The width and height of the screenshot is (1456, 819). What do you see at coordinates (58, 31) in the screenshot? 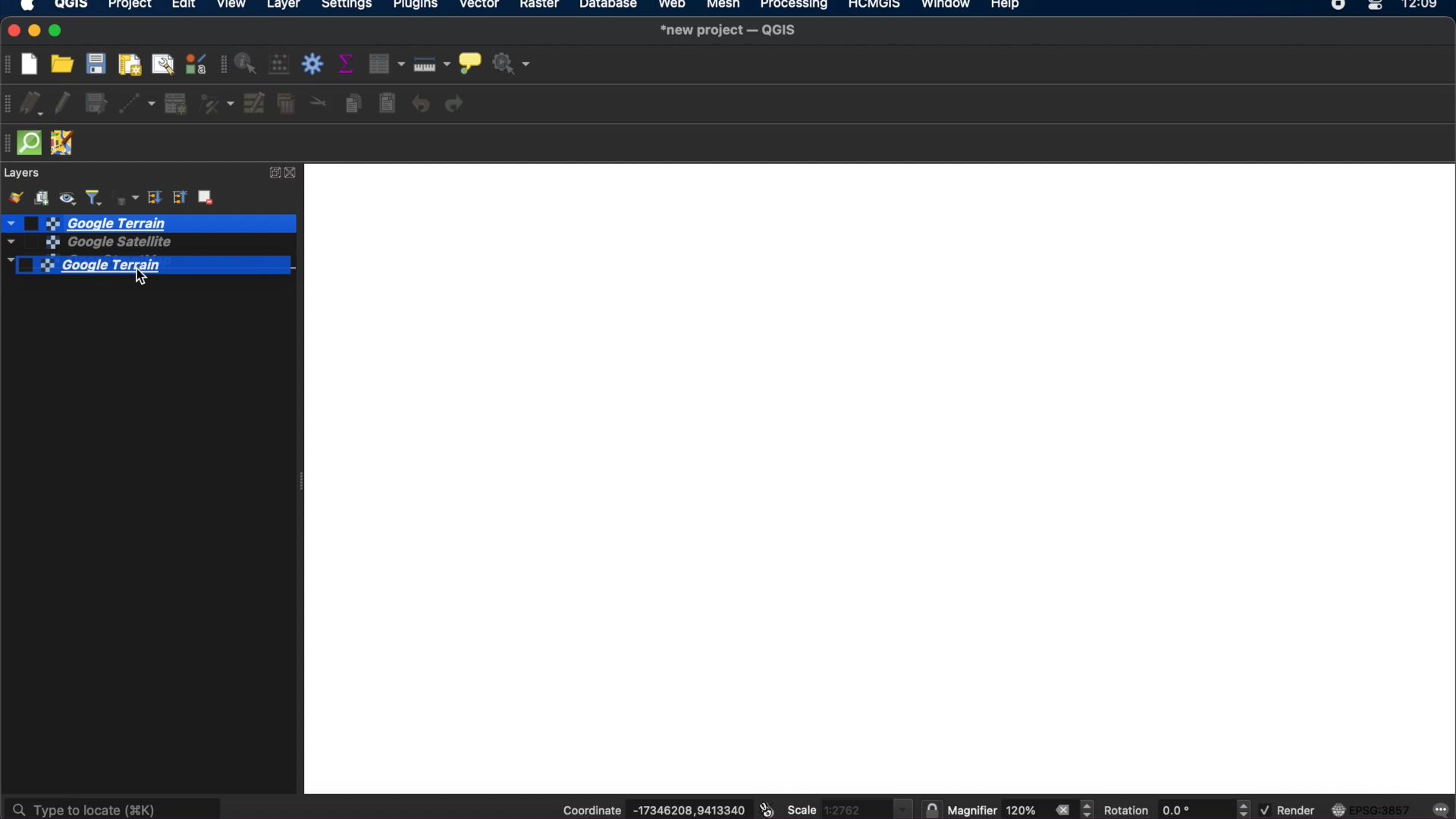
I see `maximize` at bounding box center [58, 31].